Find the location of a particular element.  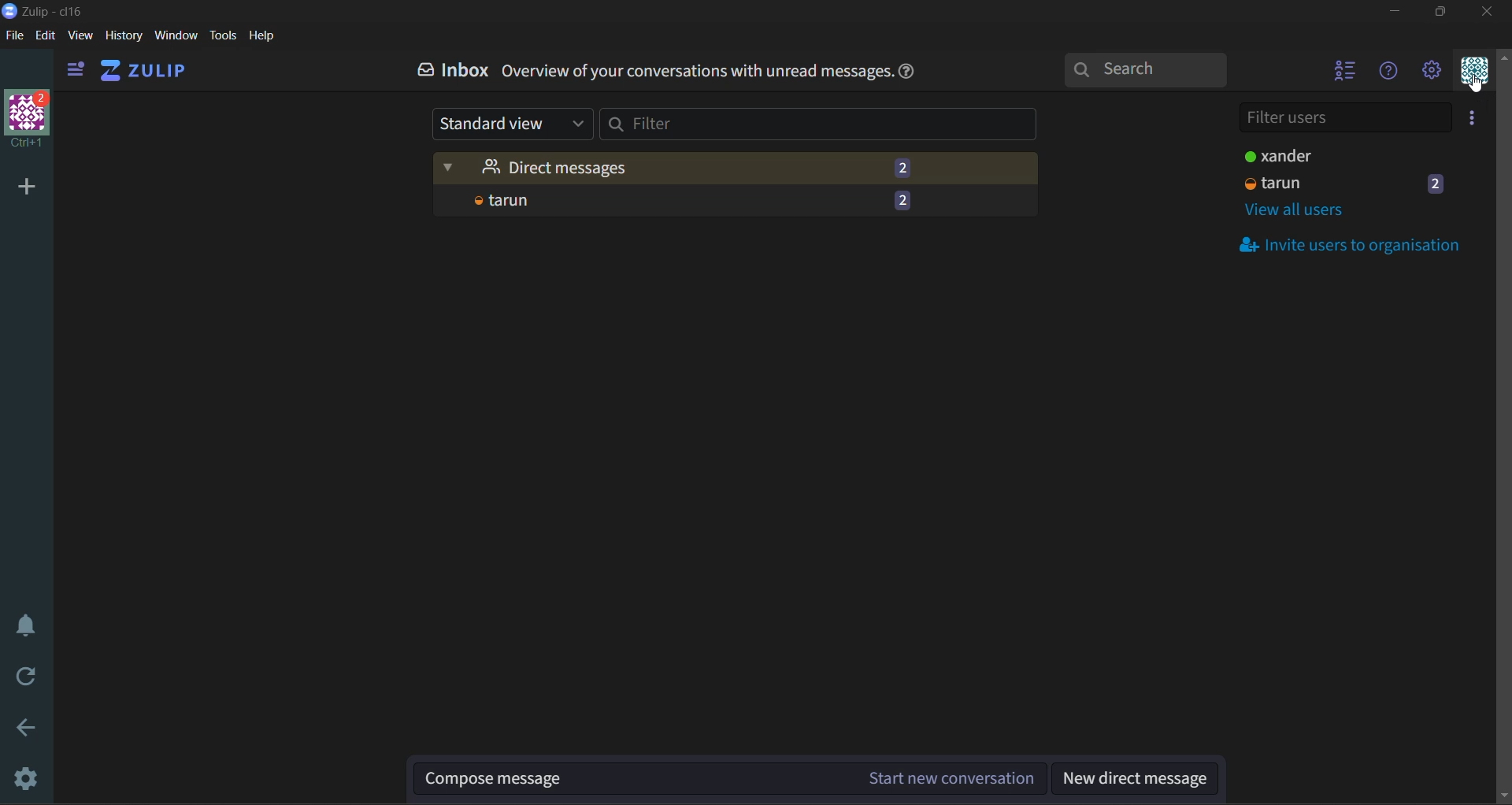

hide sidebar  is located at coordinates (72, 71).